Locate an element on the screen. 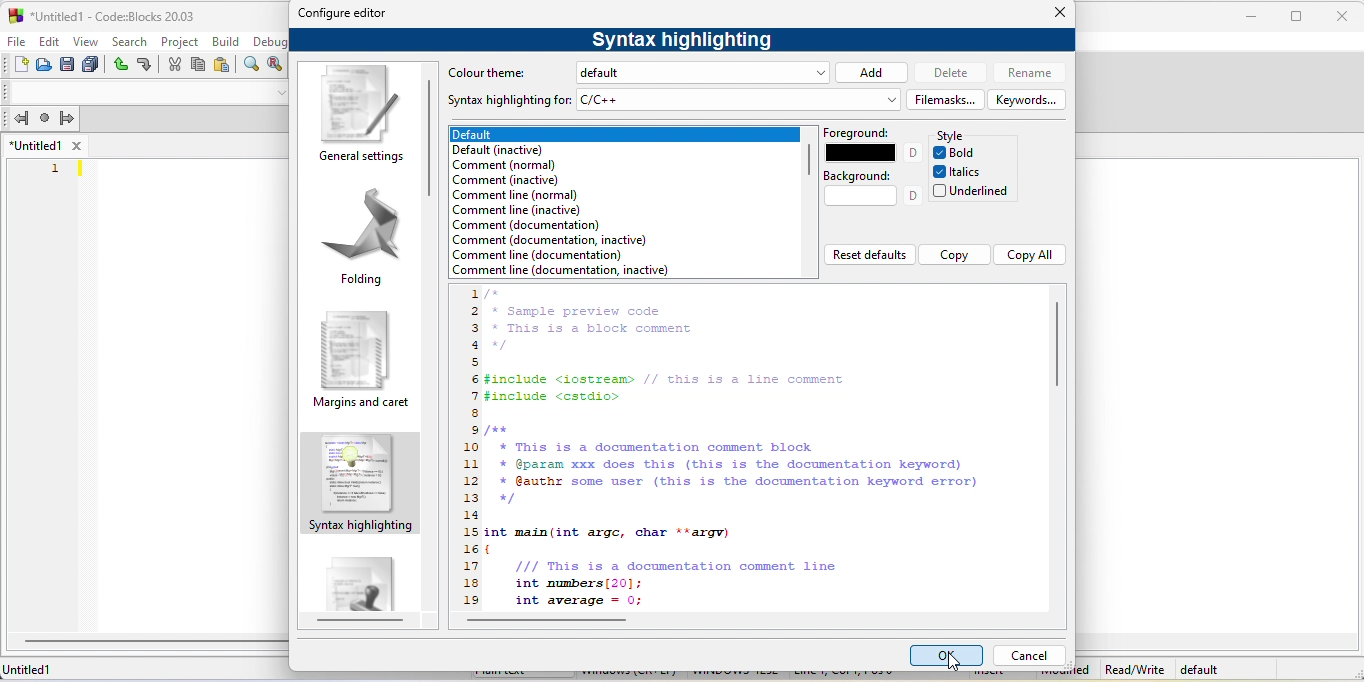 This screenshot has width=1364, height=682. undo is located at coordinates (119, 65).